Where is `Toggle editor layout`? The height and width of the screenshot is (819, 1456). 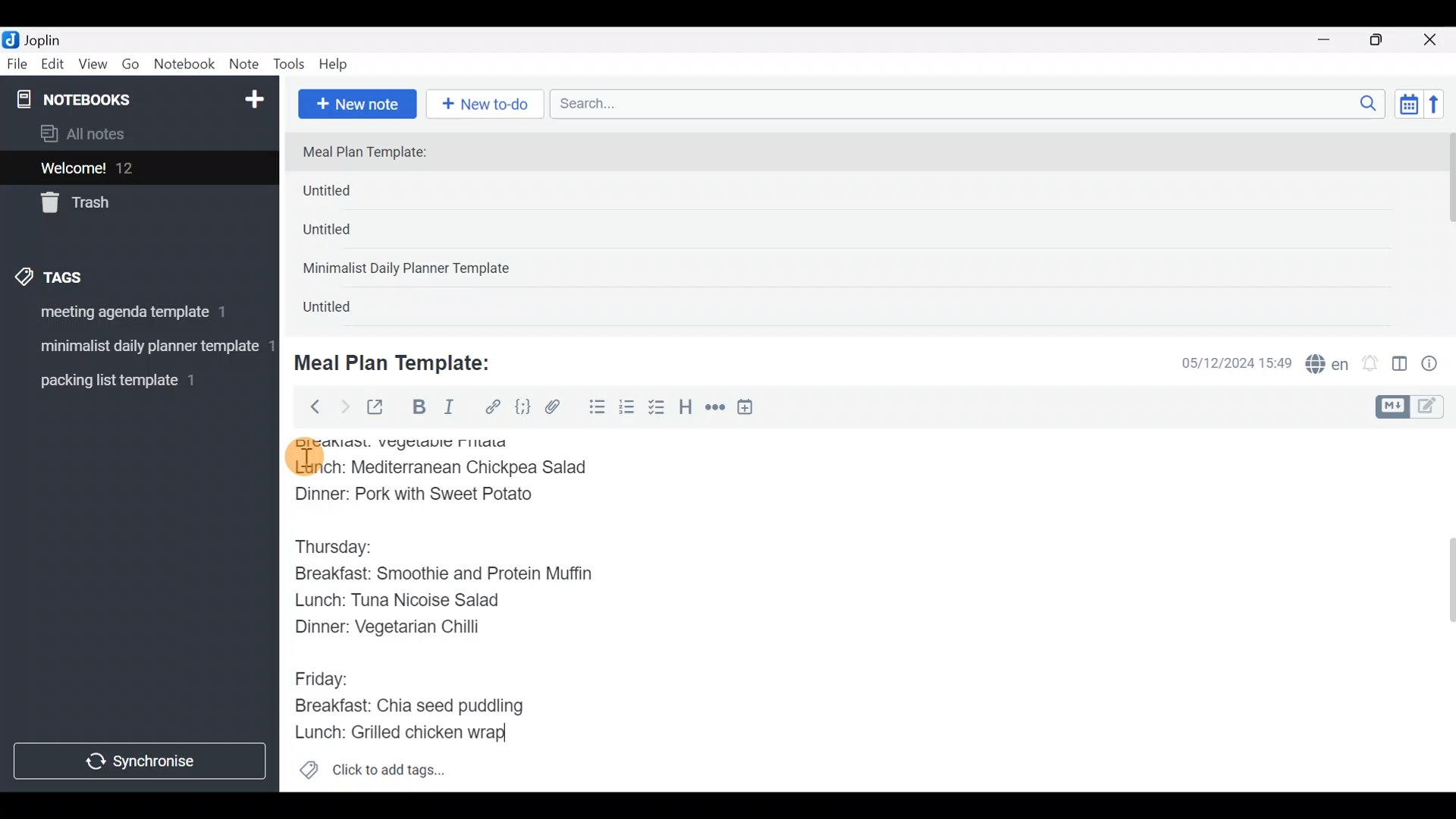
Toggle editor layout is located at coordinates (1401, 366).